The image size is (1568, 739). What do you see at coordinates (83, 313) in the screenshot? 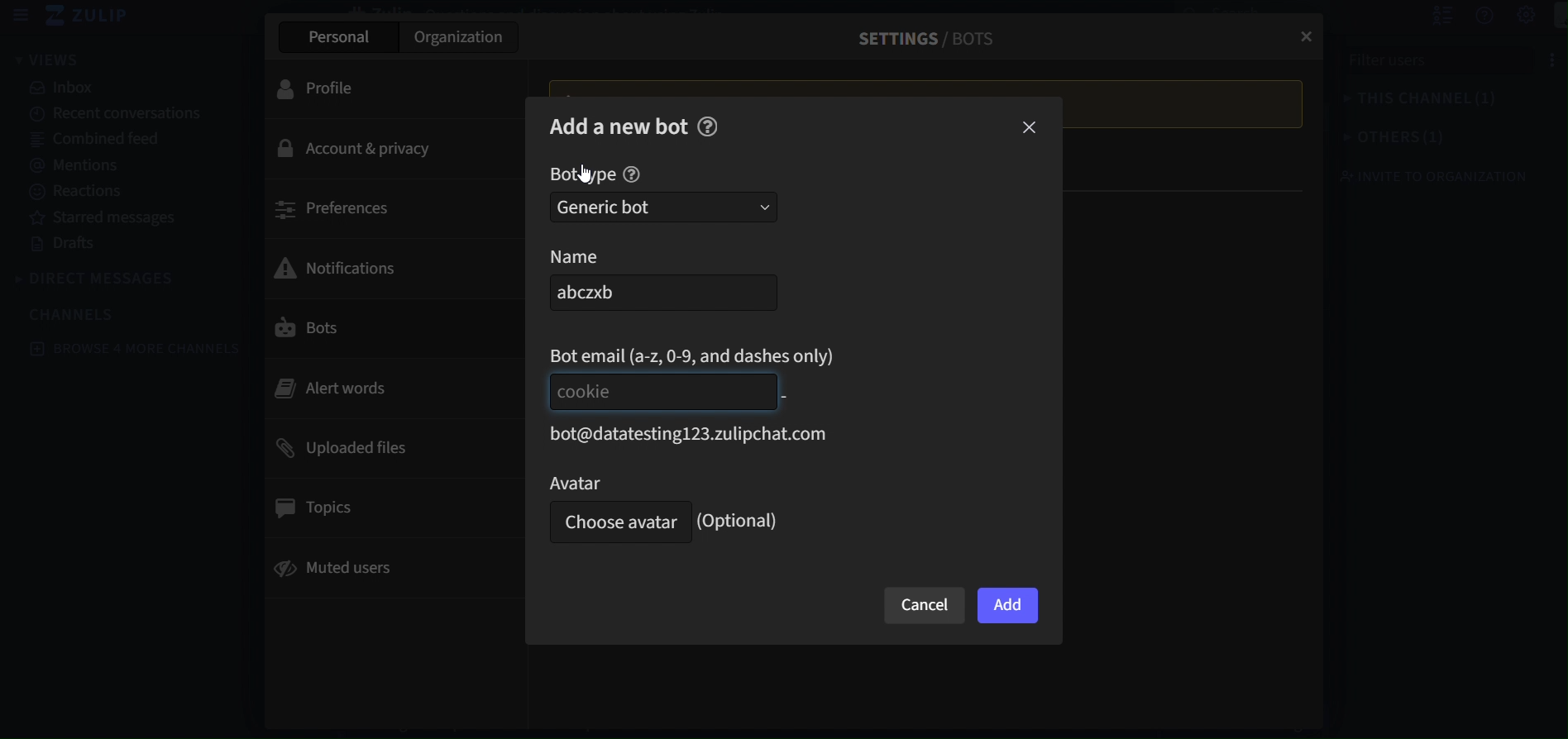
I see `channels` at bounding box center [83, 313].